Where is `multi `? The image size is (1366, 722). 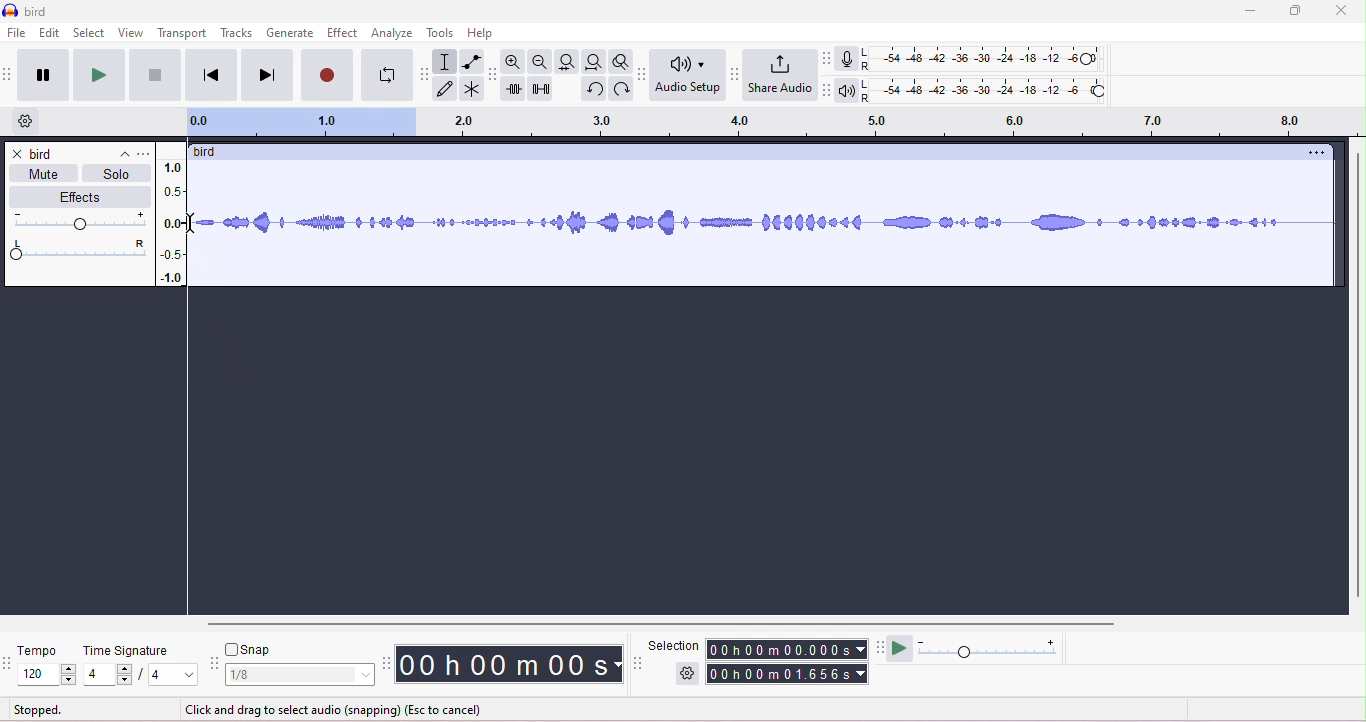
multi  is located at coordinates (470, 89).